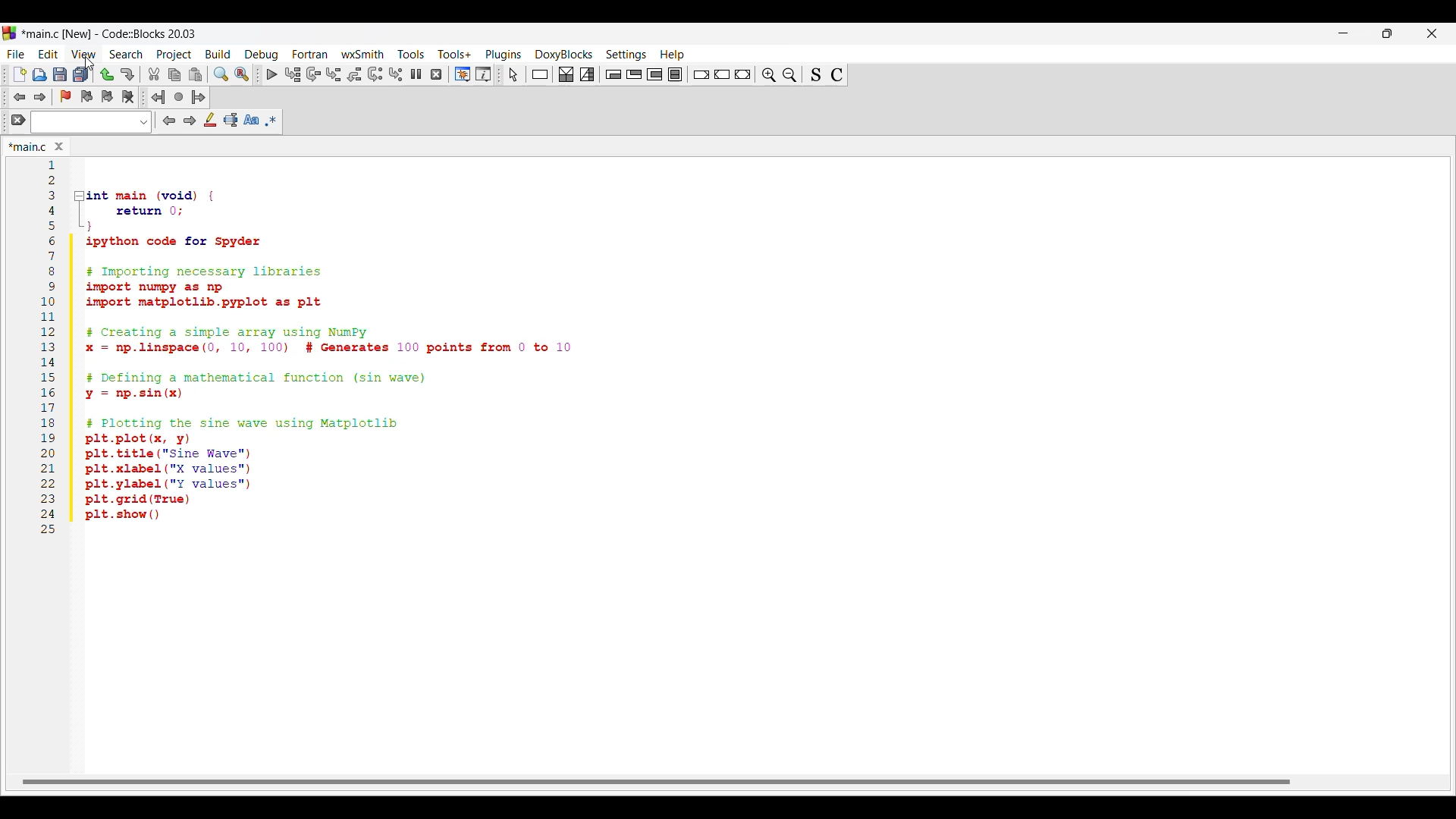  I want to click on Replace, so click(241, 74).